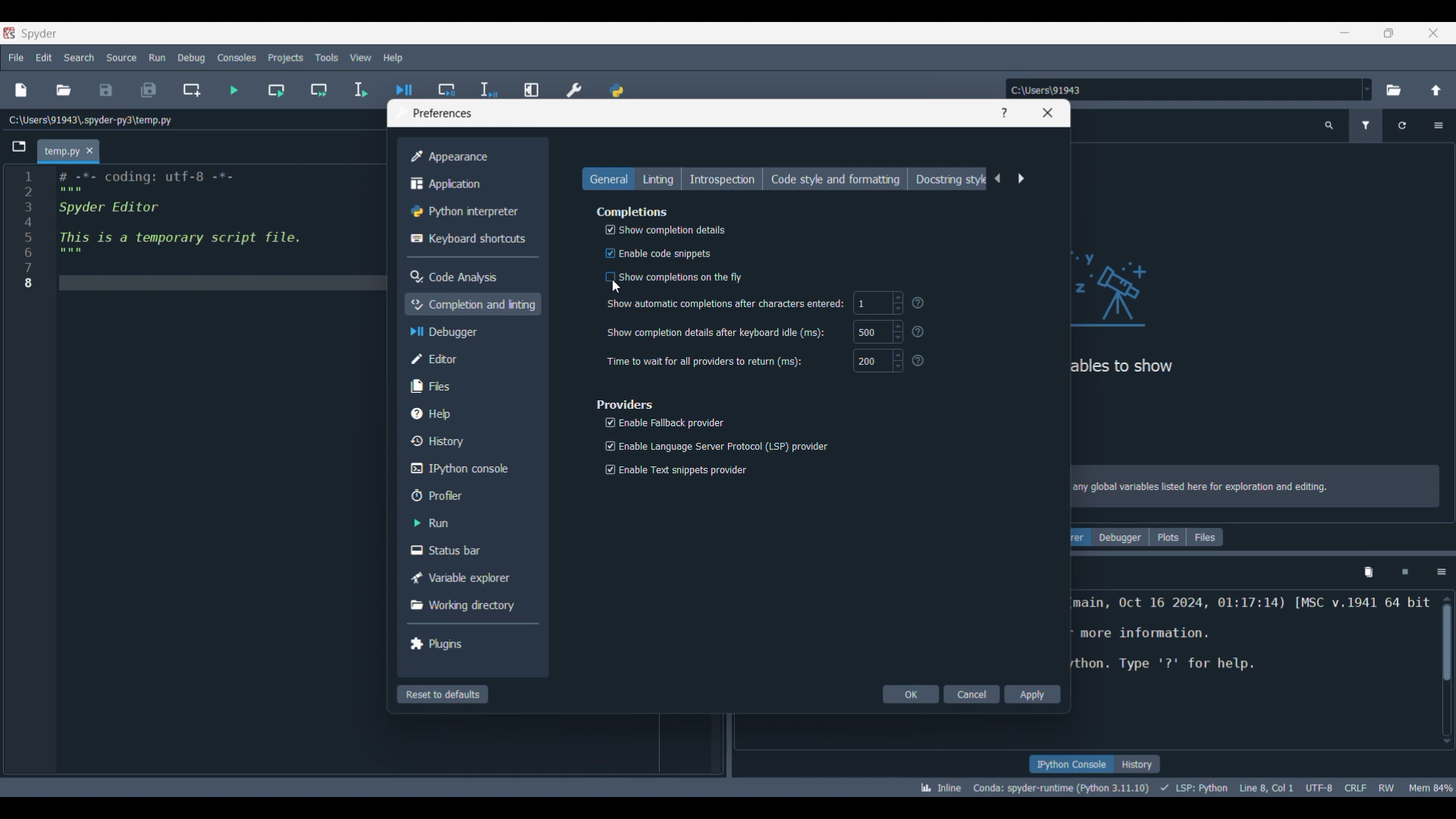 The width and height of the screenshot is (1456, 819). I want to click on Save file, so click(106, 90).